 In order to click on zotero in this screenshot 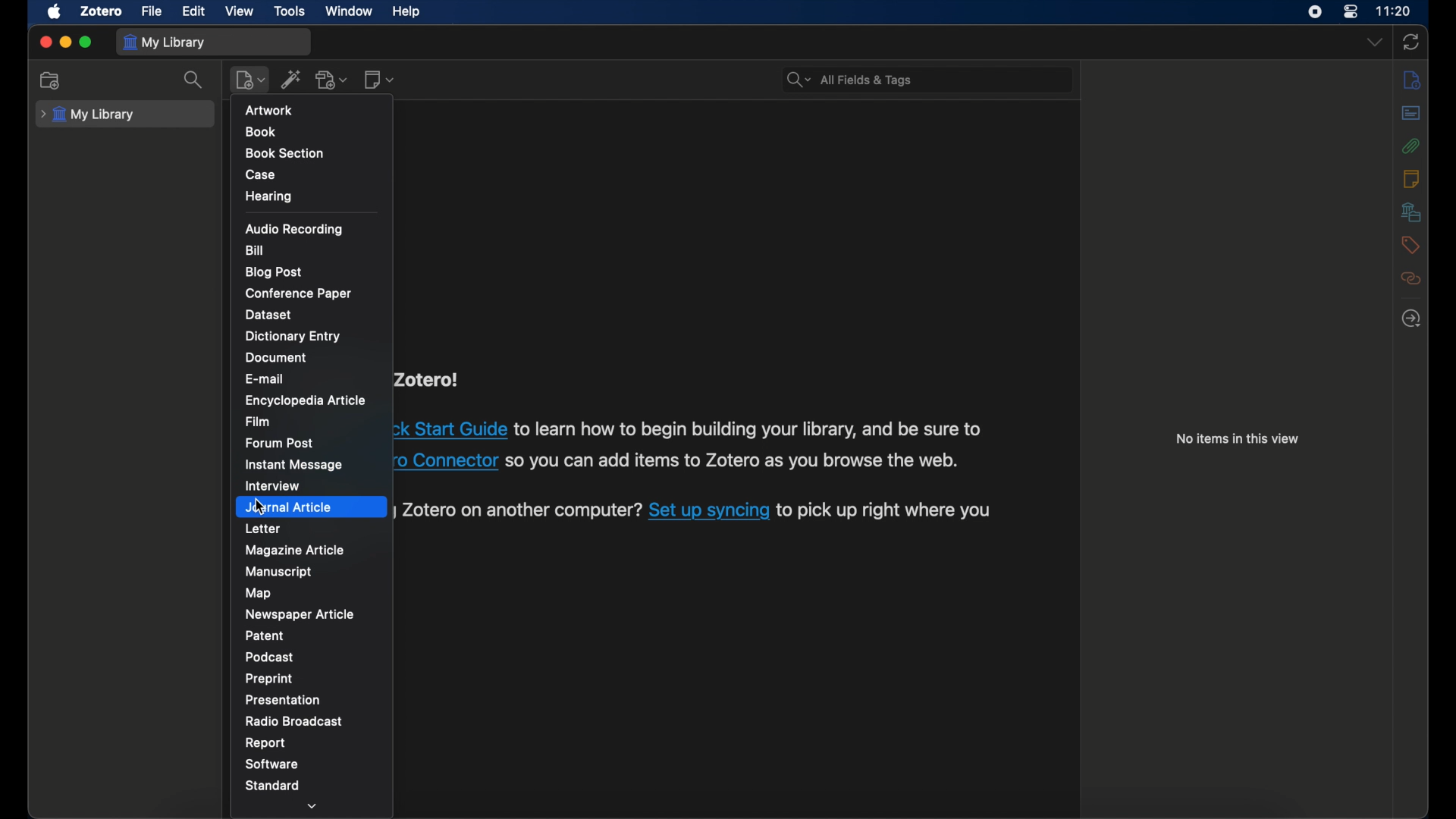, I will do `click(102, 11)`.